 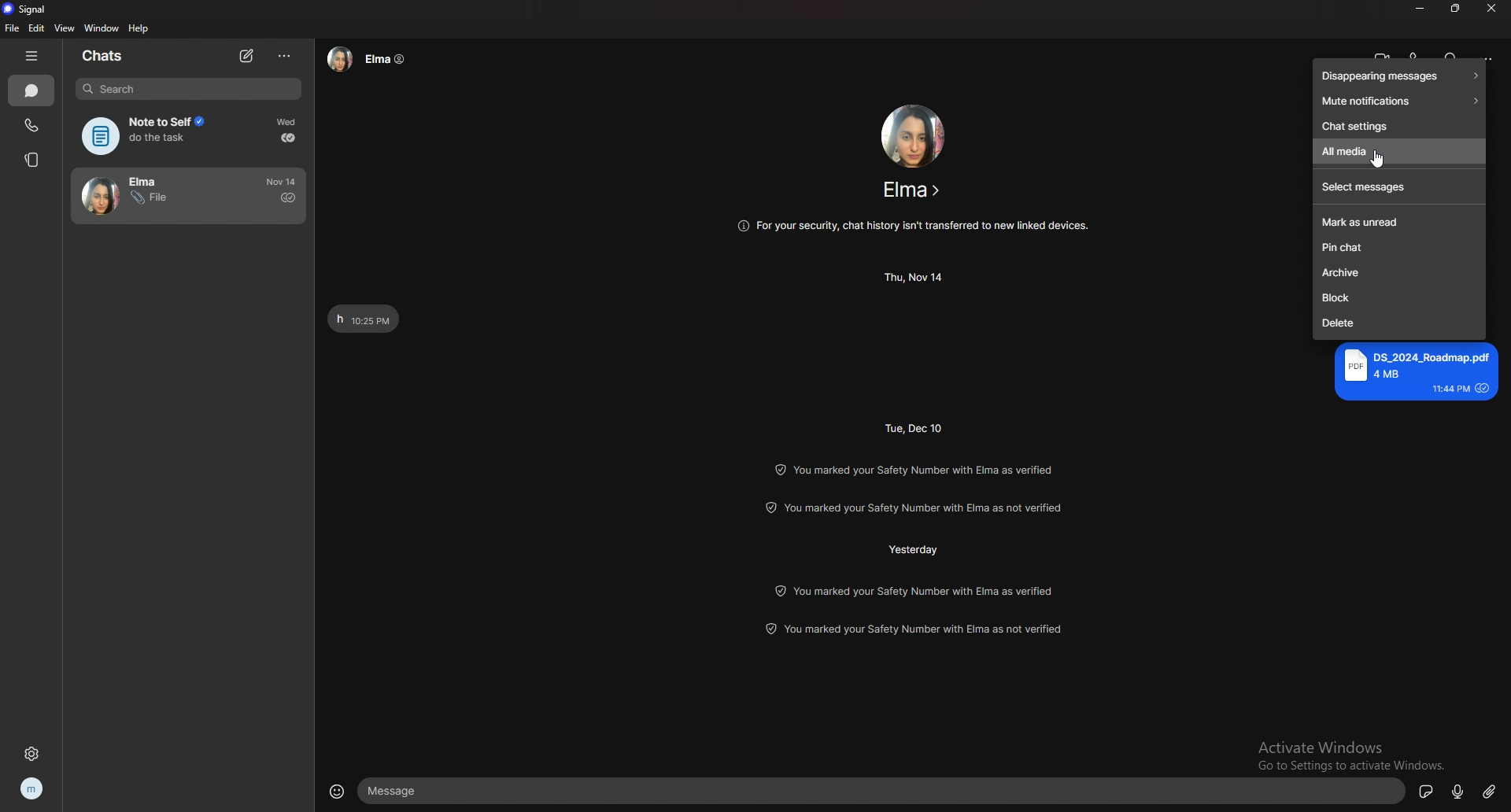 I want to click on pin chat, so click(x=1397, y=248).